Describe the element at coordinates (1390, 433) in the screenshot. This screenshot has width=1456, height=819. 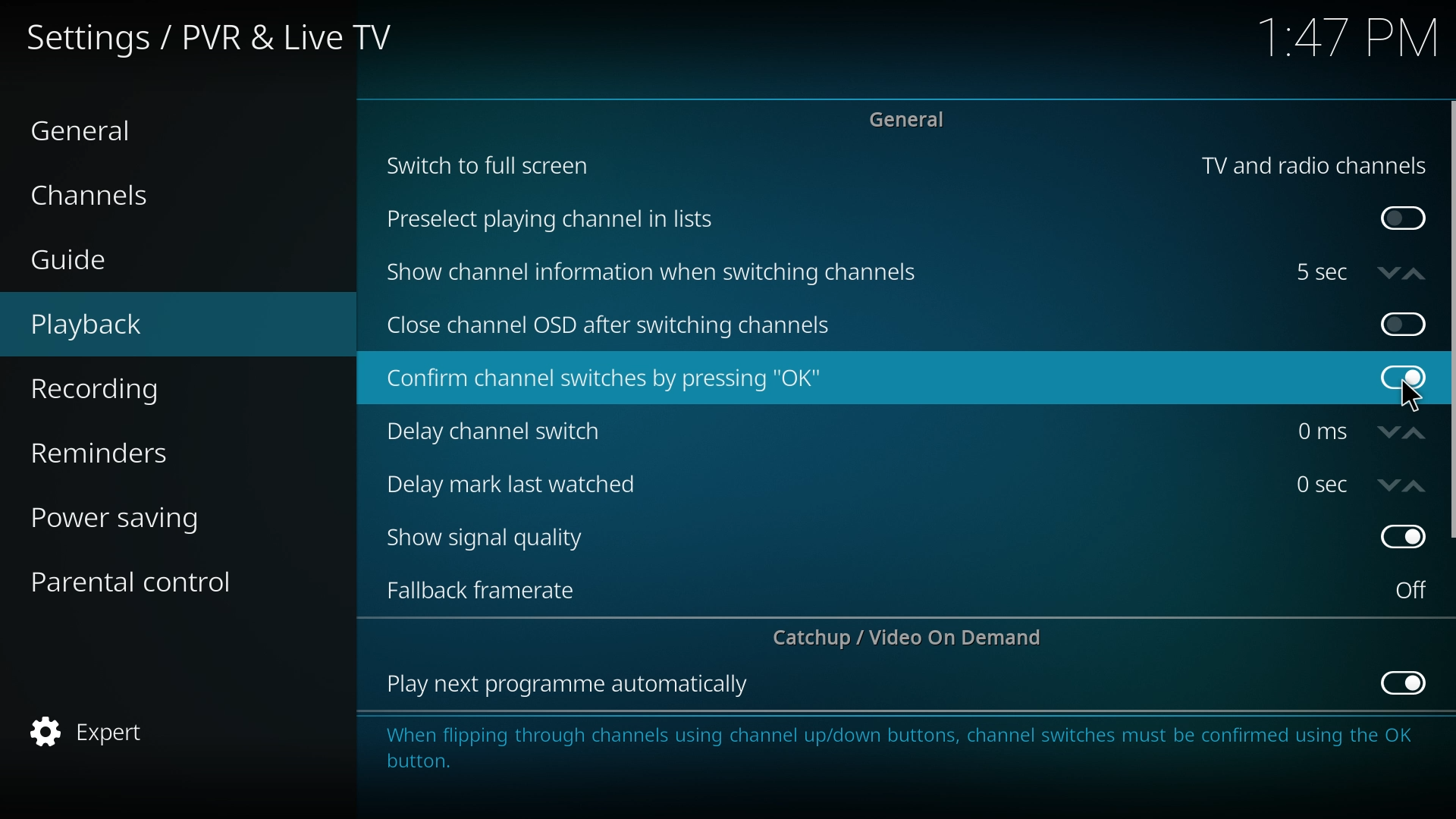
I see `decrease time` at that location.